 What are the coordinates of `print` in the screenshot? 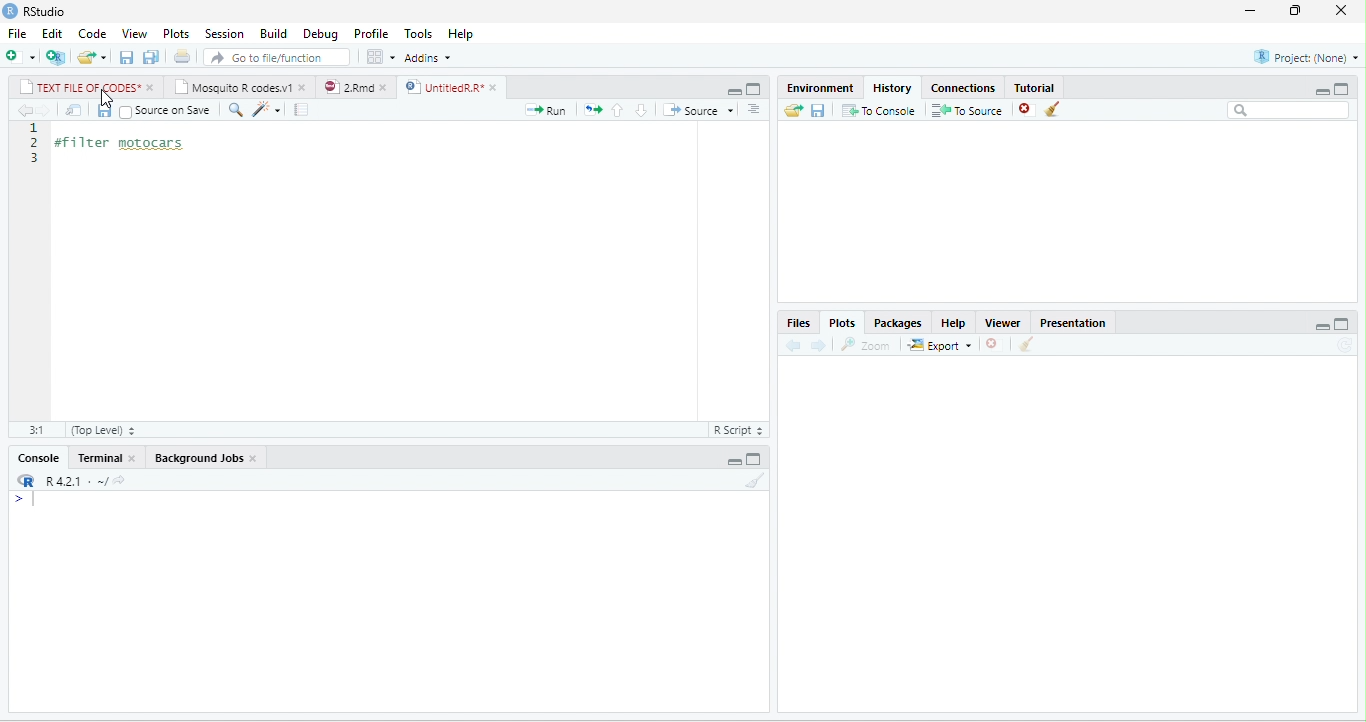 It's located at (182, 56).